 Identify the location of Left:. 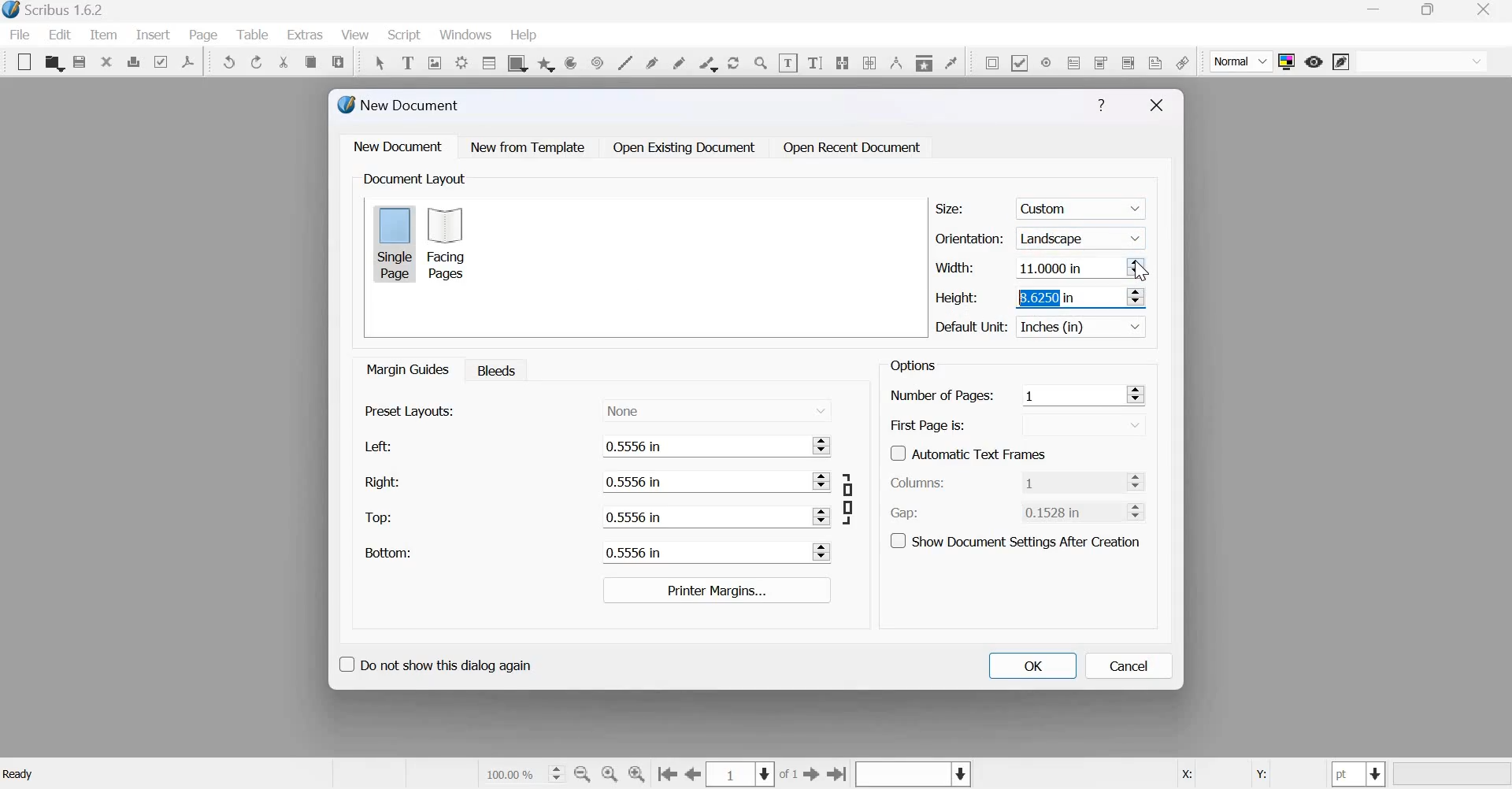
(376, 446).